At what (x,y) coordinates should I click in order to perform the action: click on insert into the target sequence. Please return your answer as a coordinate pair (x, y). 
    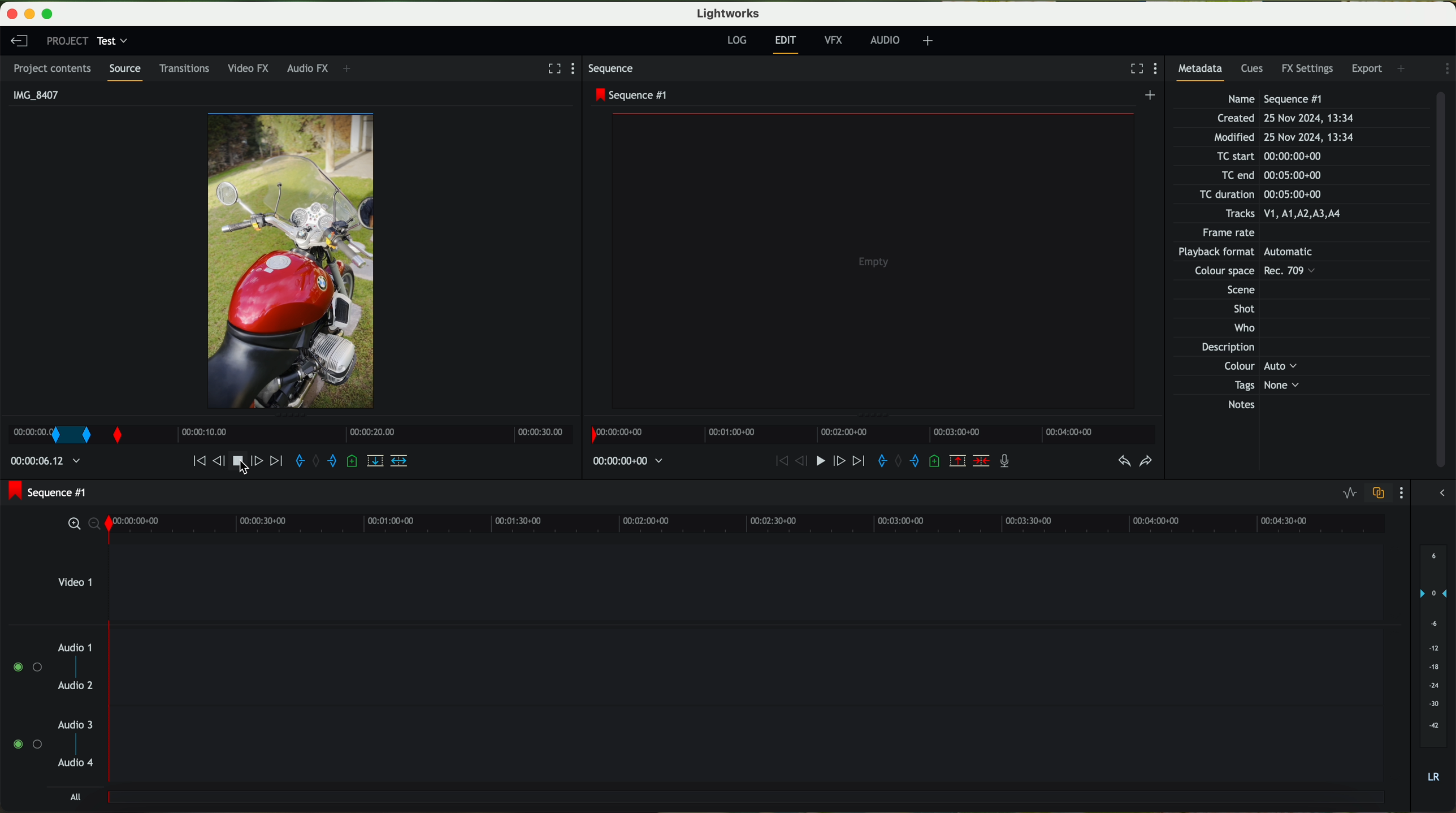
    Looking at the image, I should click on (400, 460).